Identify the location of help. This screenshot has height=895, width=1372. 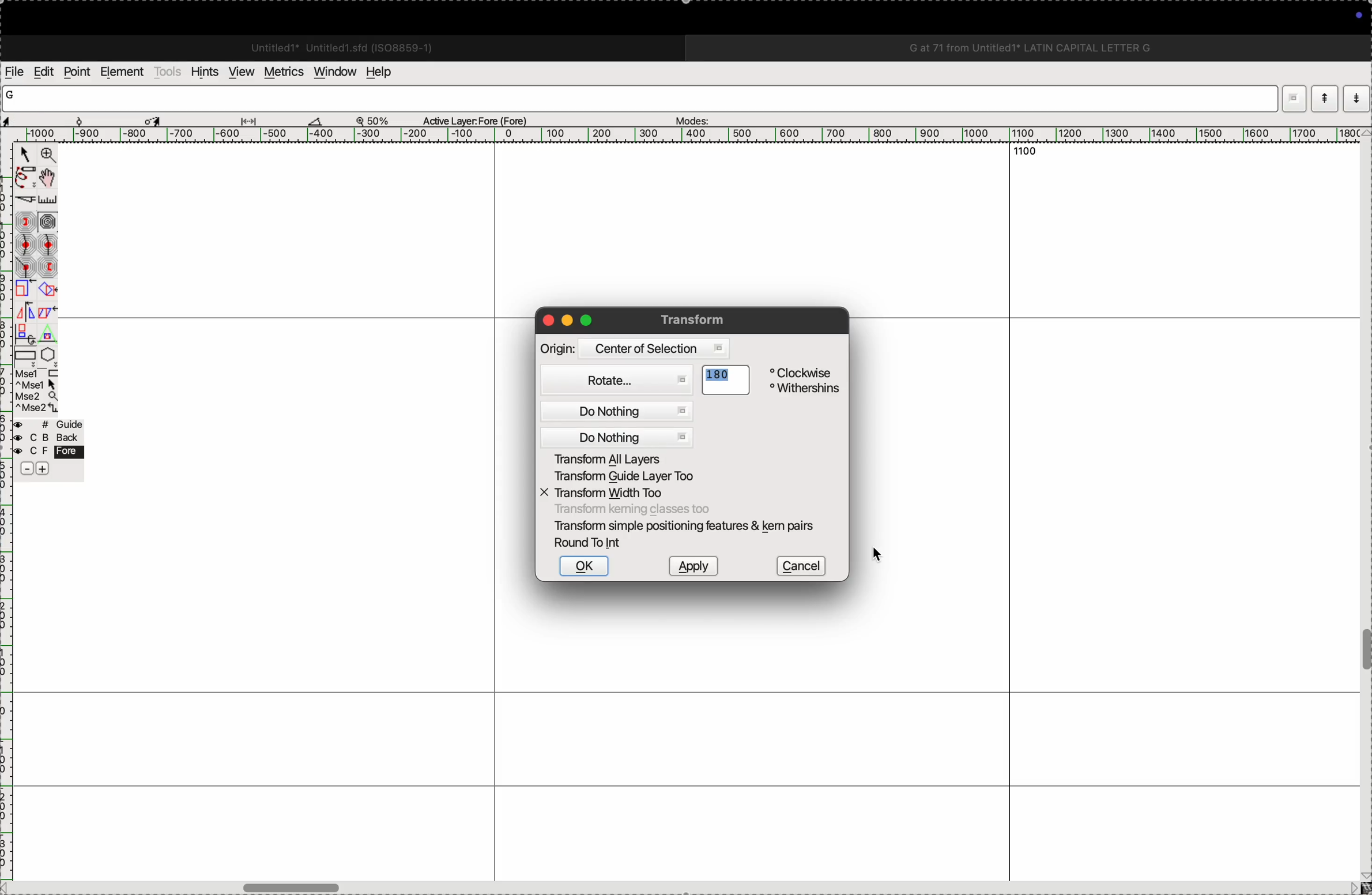
(385, 72).